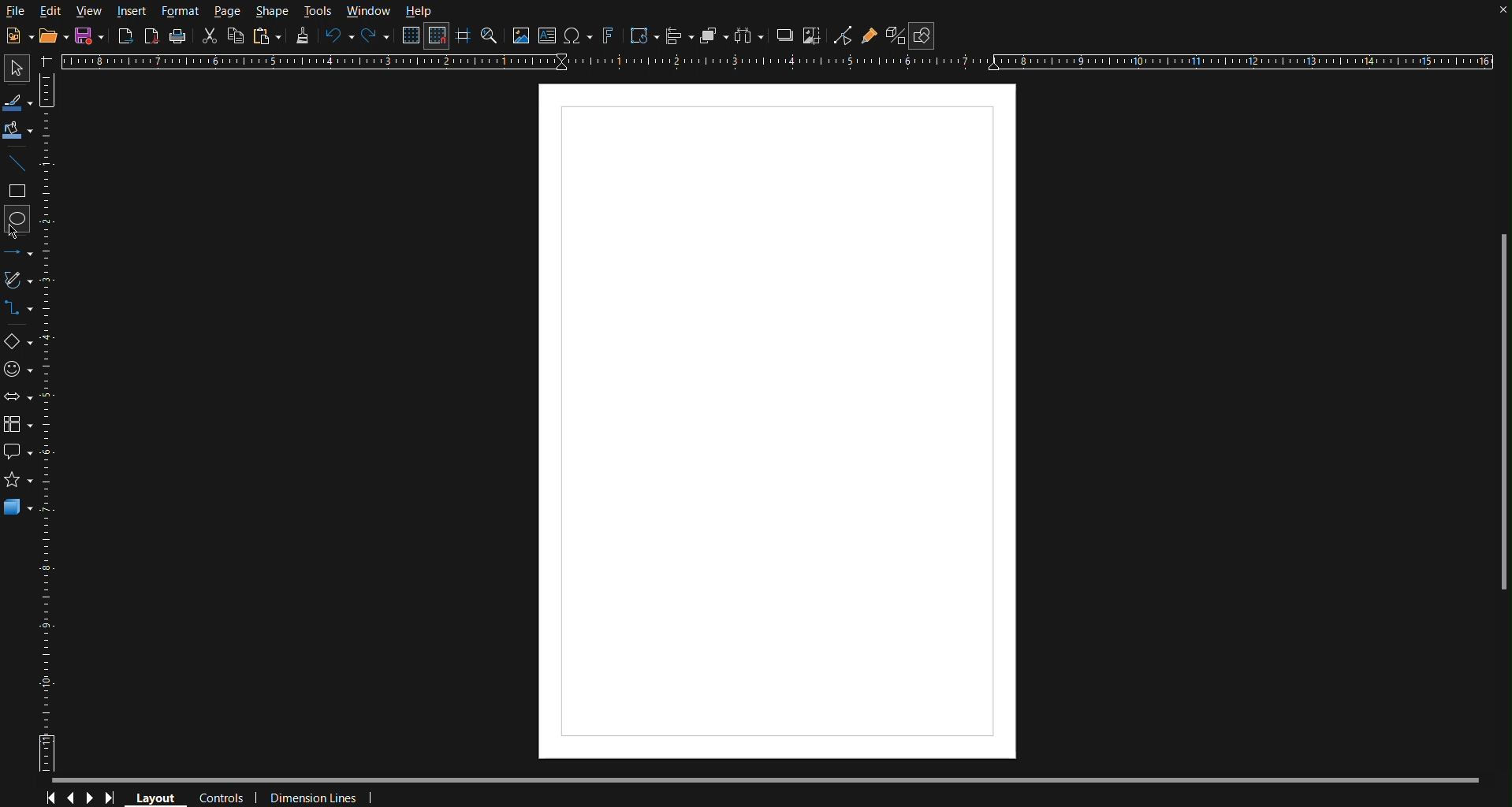 This screenshot has width=1512, height=807. Describe the element at coordinates (153, 37) in the screenshot. I see `Export as PDF` at that location.